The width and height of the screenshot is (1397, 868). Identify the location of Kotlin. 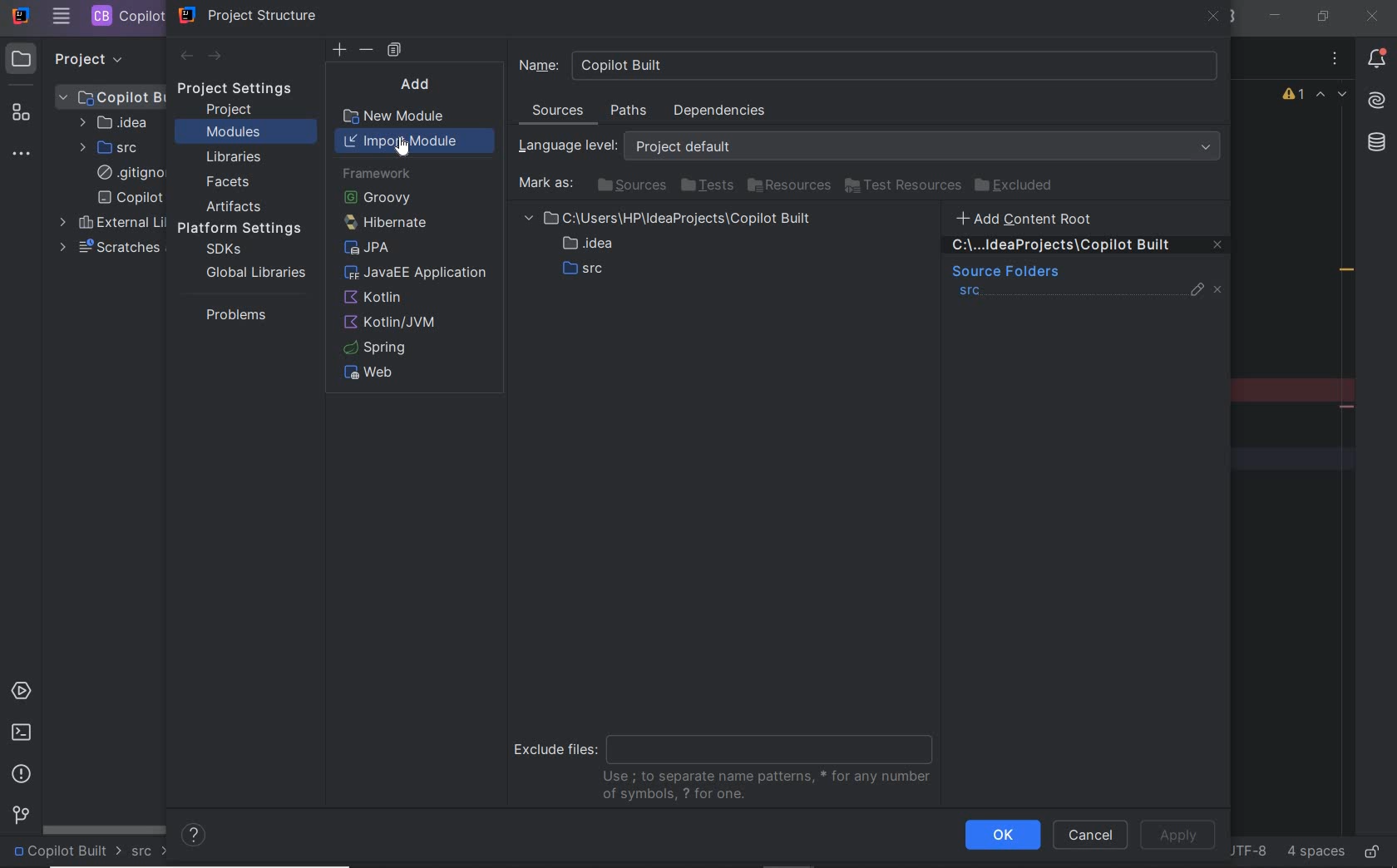
(376, 298).